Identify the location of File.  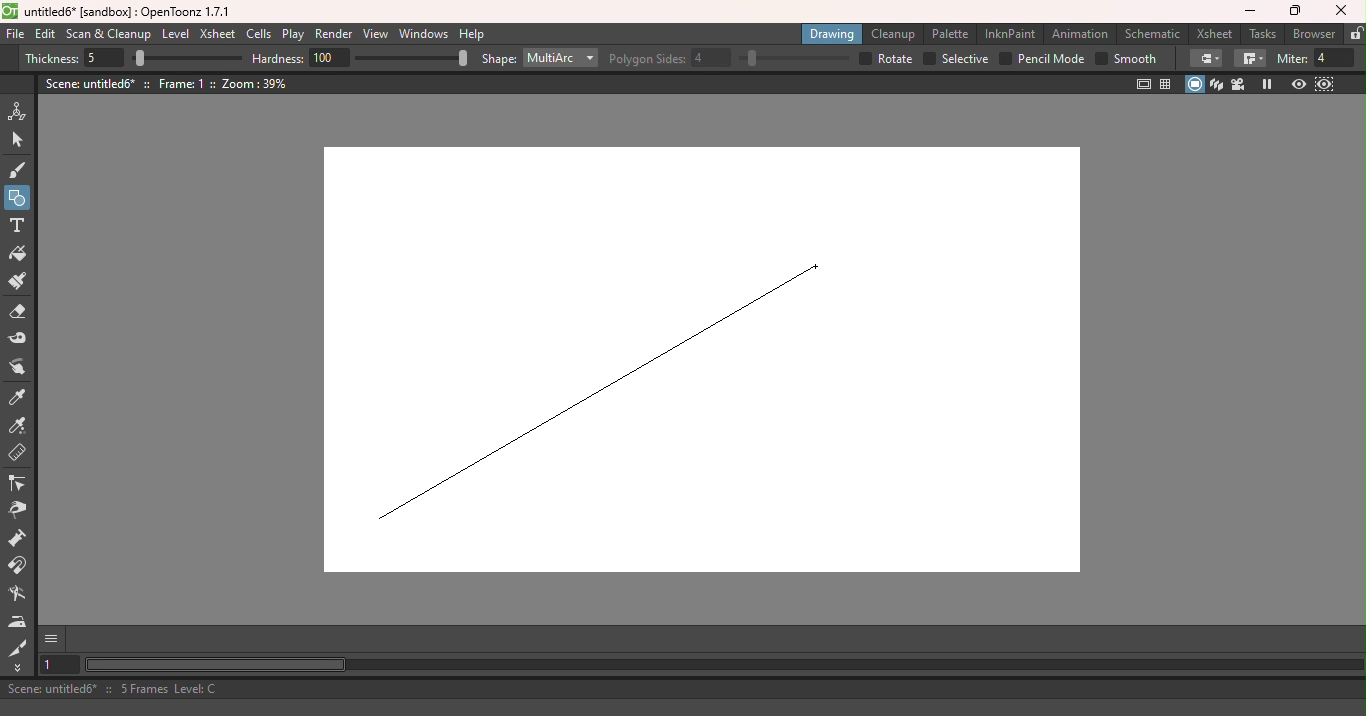
(15, 35).